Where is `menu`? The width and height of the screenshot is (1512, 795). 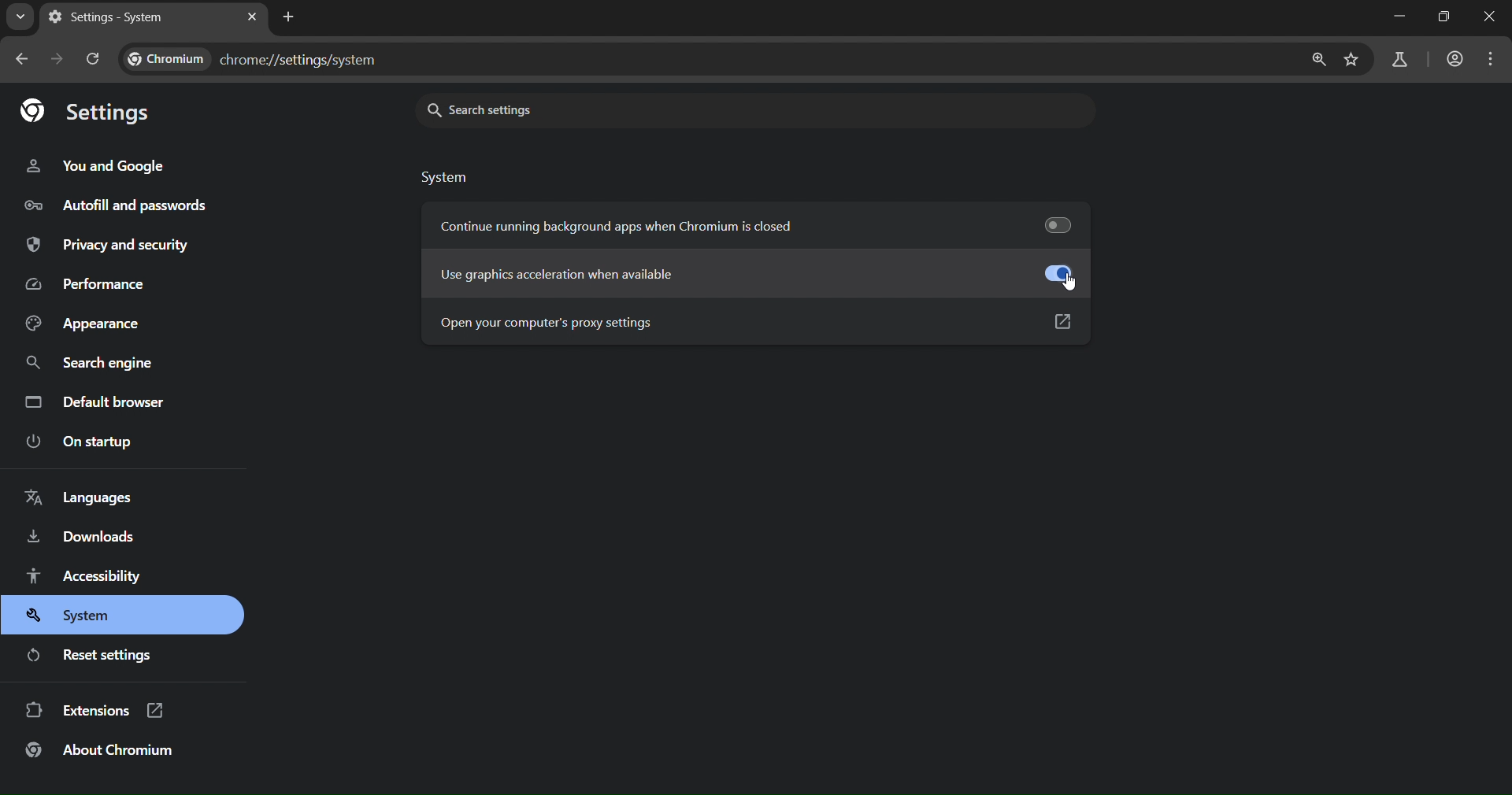
menu is located at coordinates (1496, 58).